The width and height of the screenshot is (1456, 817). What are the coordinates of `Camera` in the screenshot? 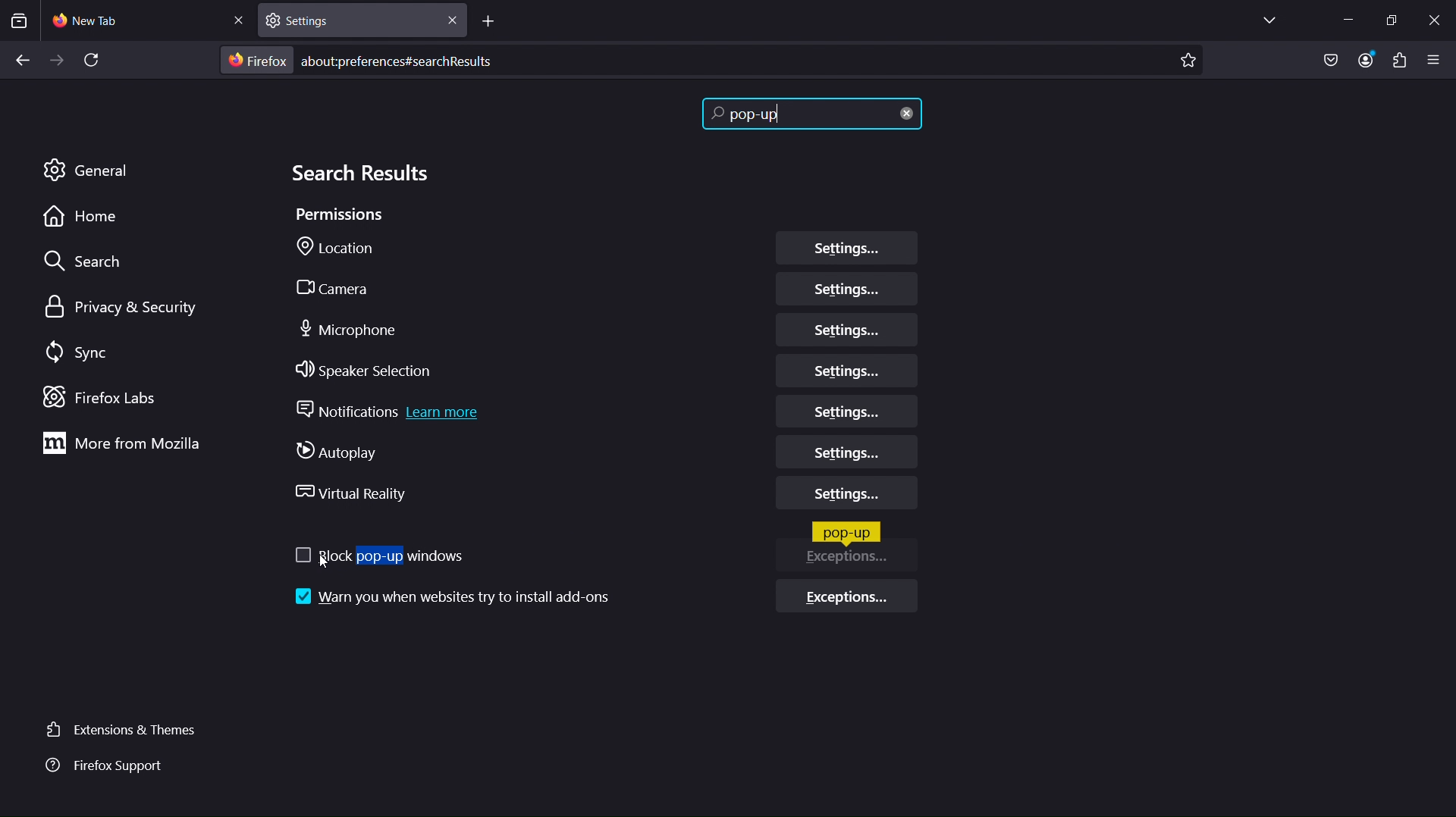 It's located at (344, 286).